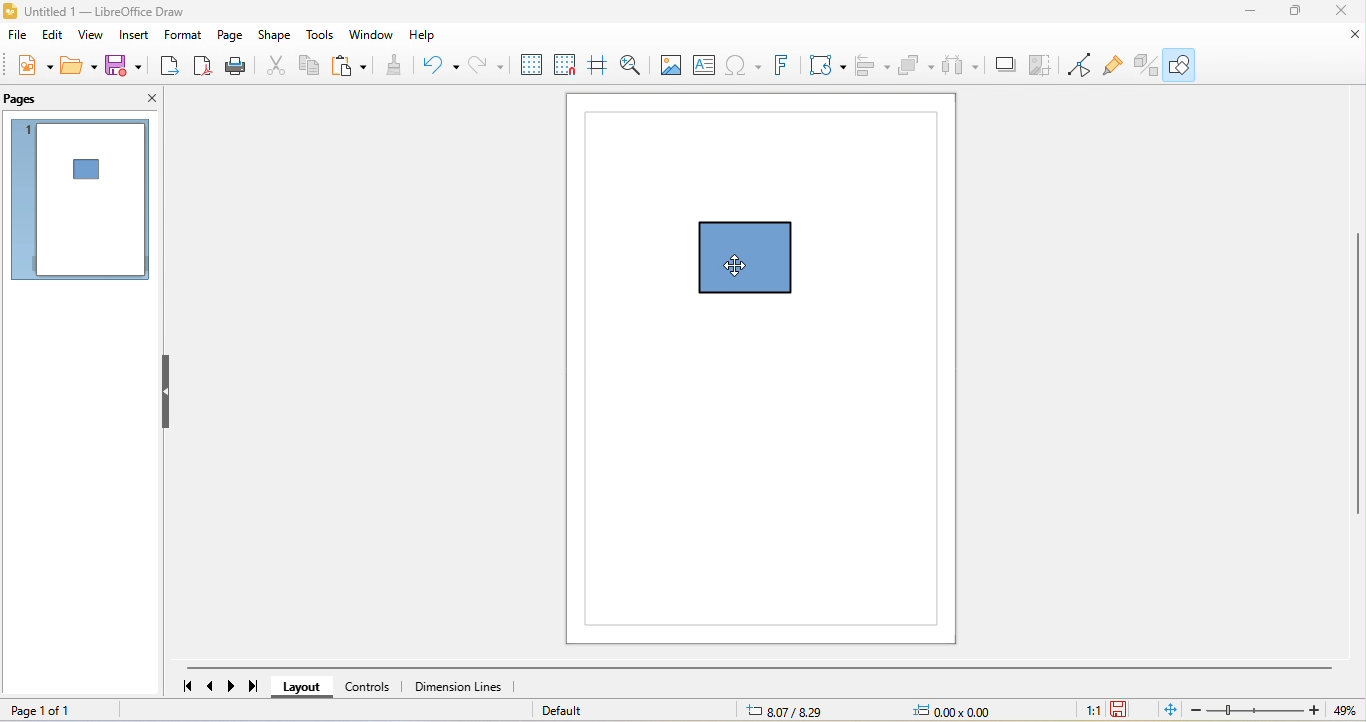 Image resolution: width=1366 pixels, height=722 pixels. What do you see at coordinates (232, 36) in the screenshot?
I see `page` at bounding box center [232, 36].